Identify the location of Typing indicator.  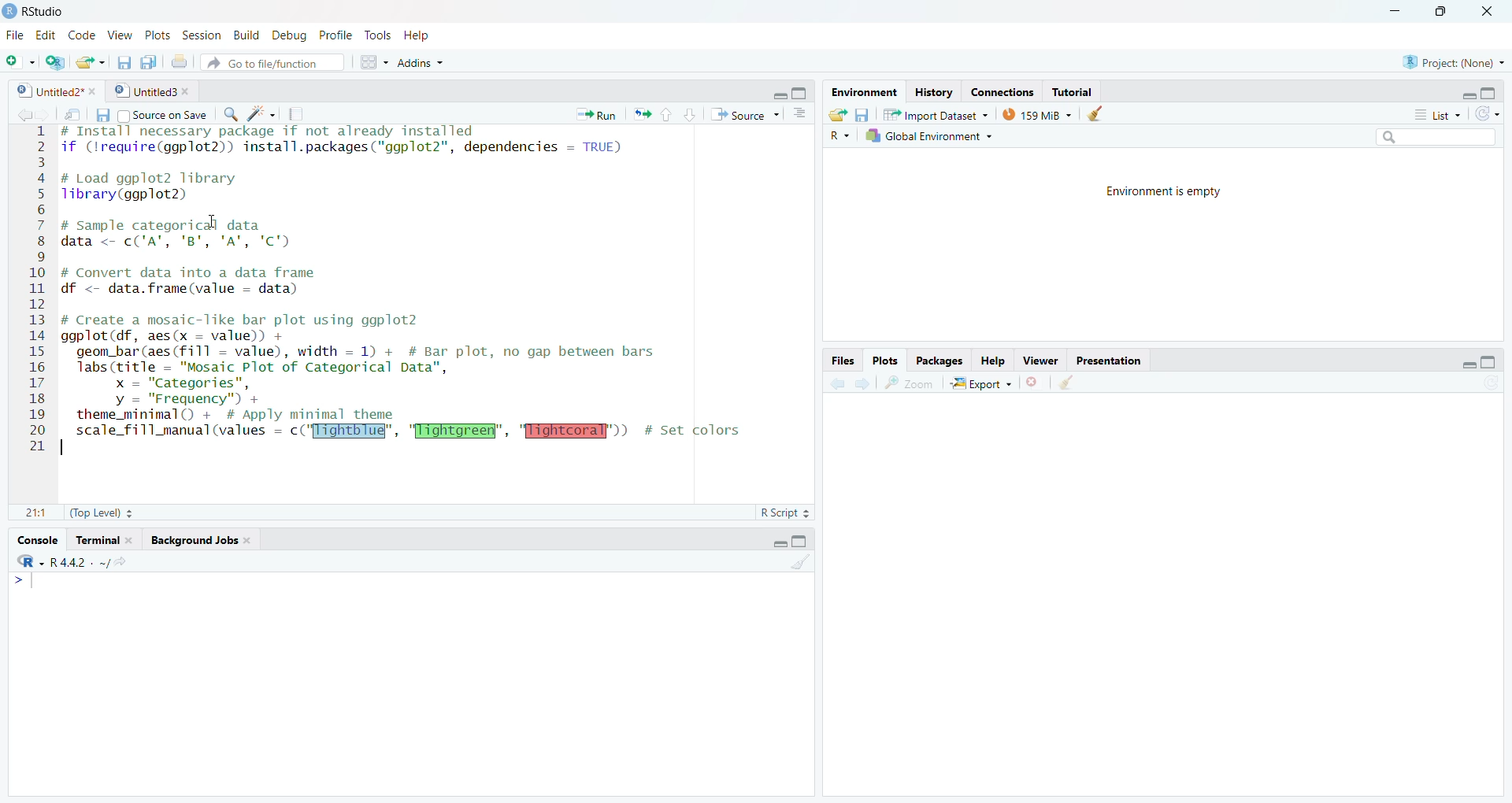
(26, 584).